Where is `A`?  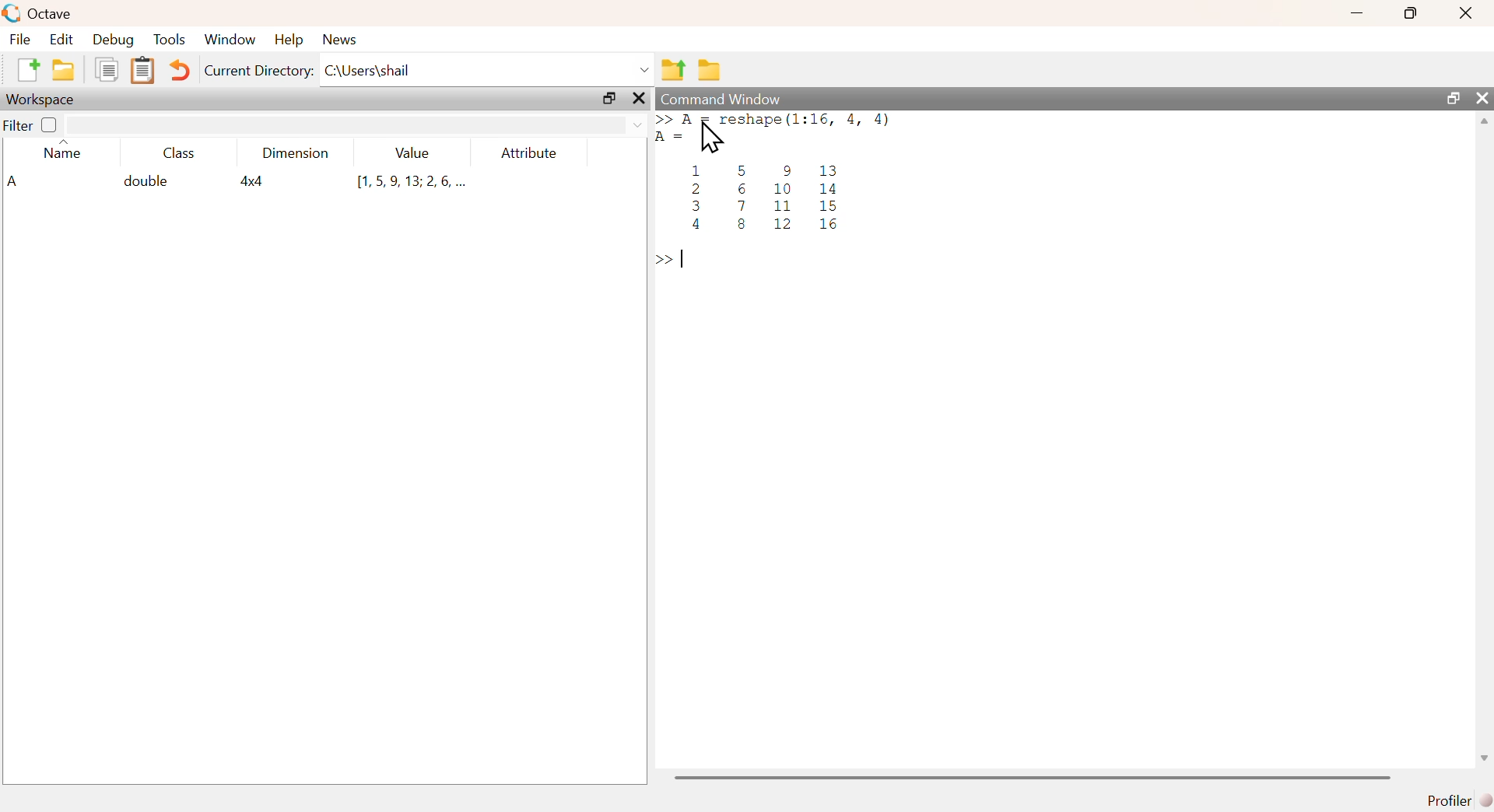 A is located at coordinates (15, 180).